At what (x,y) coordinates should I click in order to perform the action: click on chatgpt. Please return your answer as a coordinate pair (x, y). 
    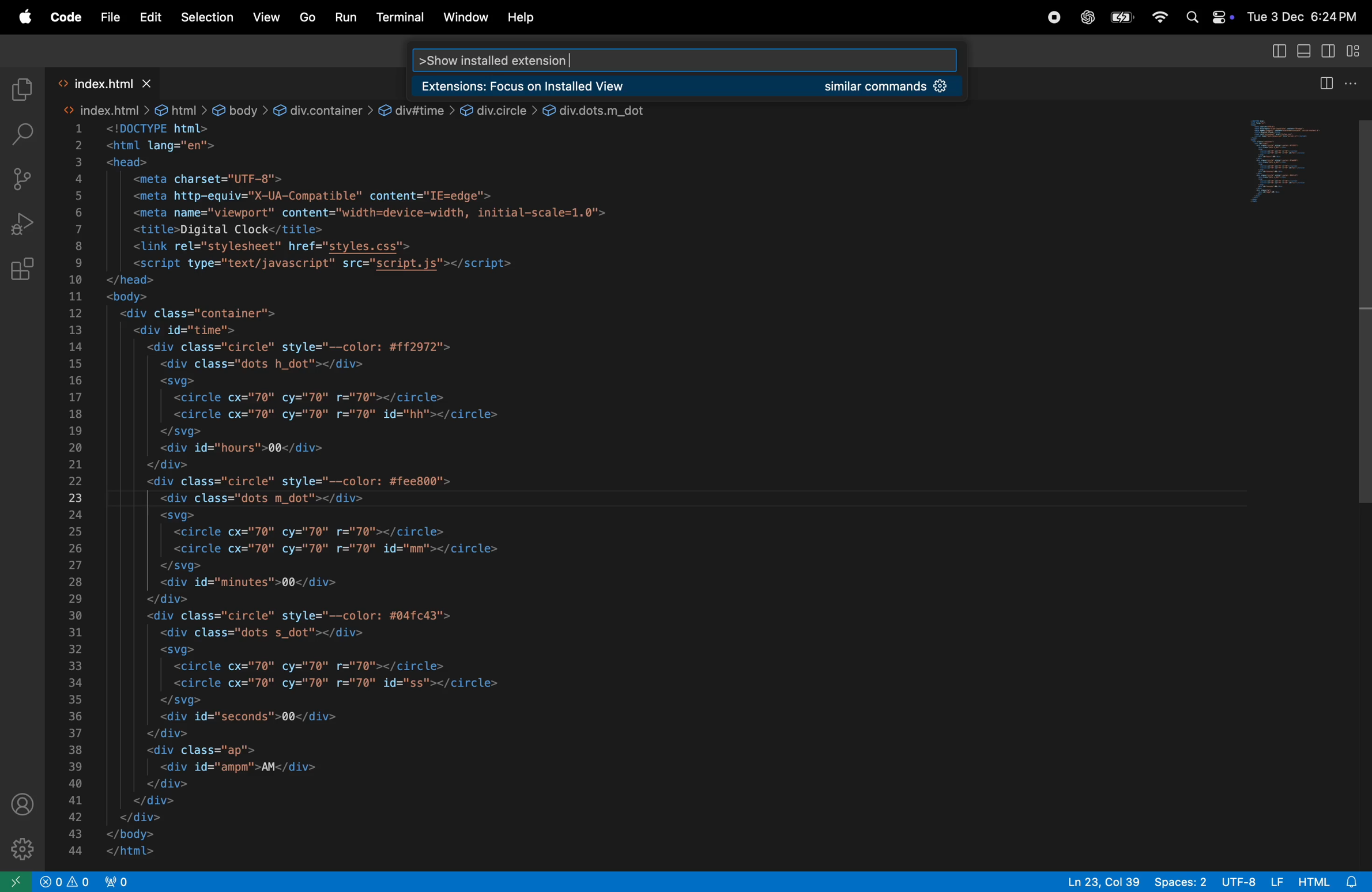
    Looking at the image, I should click on (1085, 17).